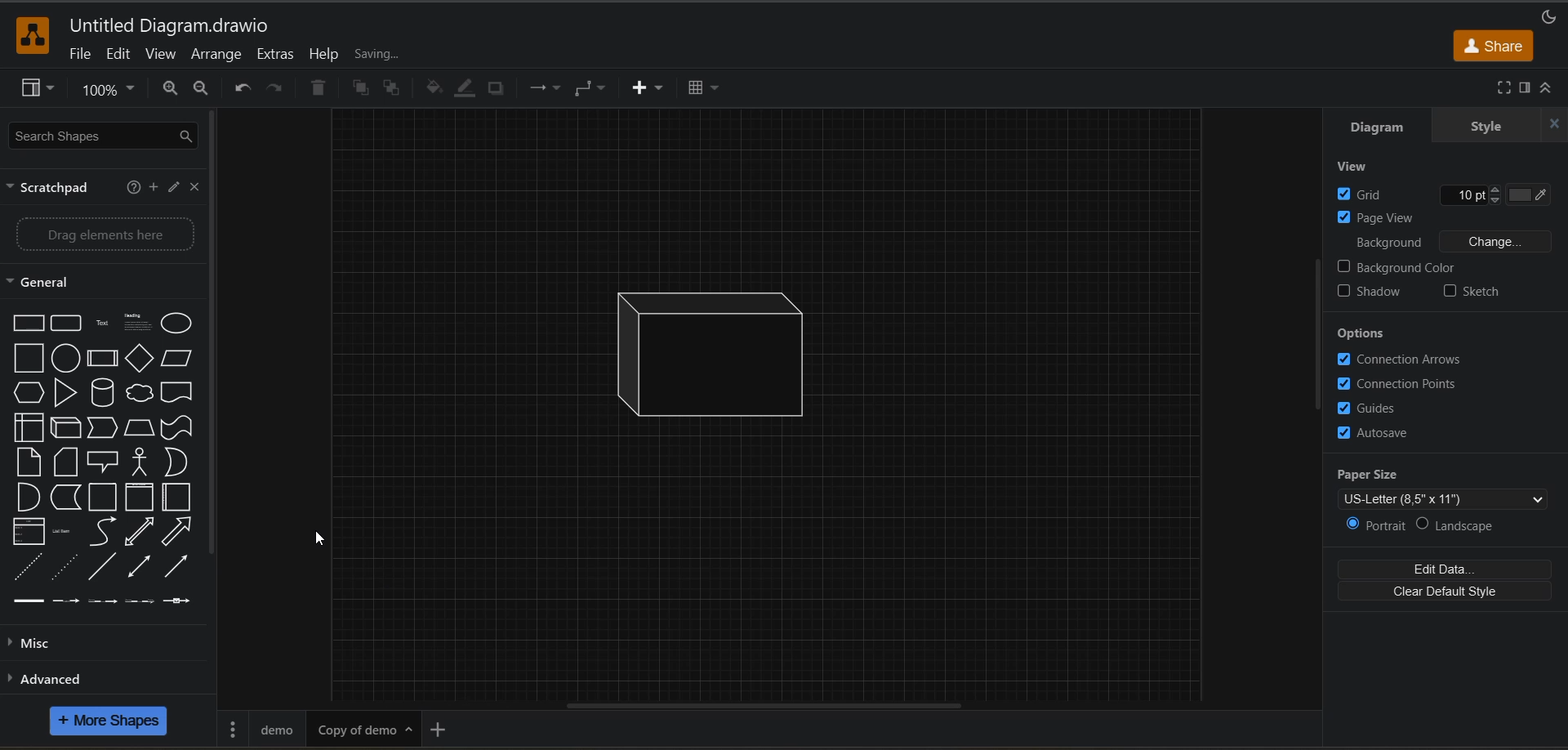 Image resolution: width=1568 pixels, height=750 pixels. I want to click on appearance, so click(1550, 16).